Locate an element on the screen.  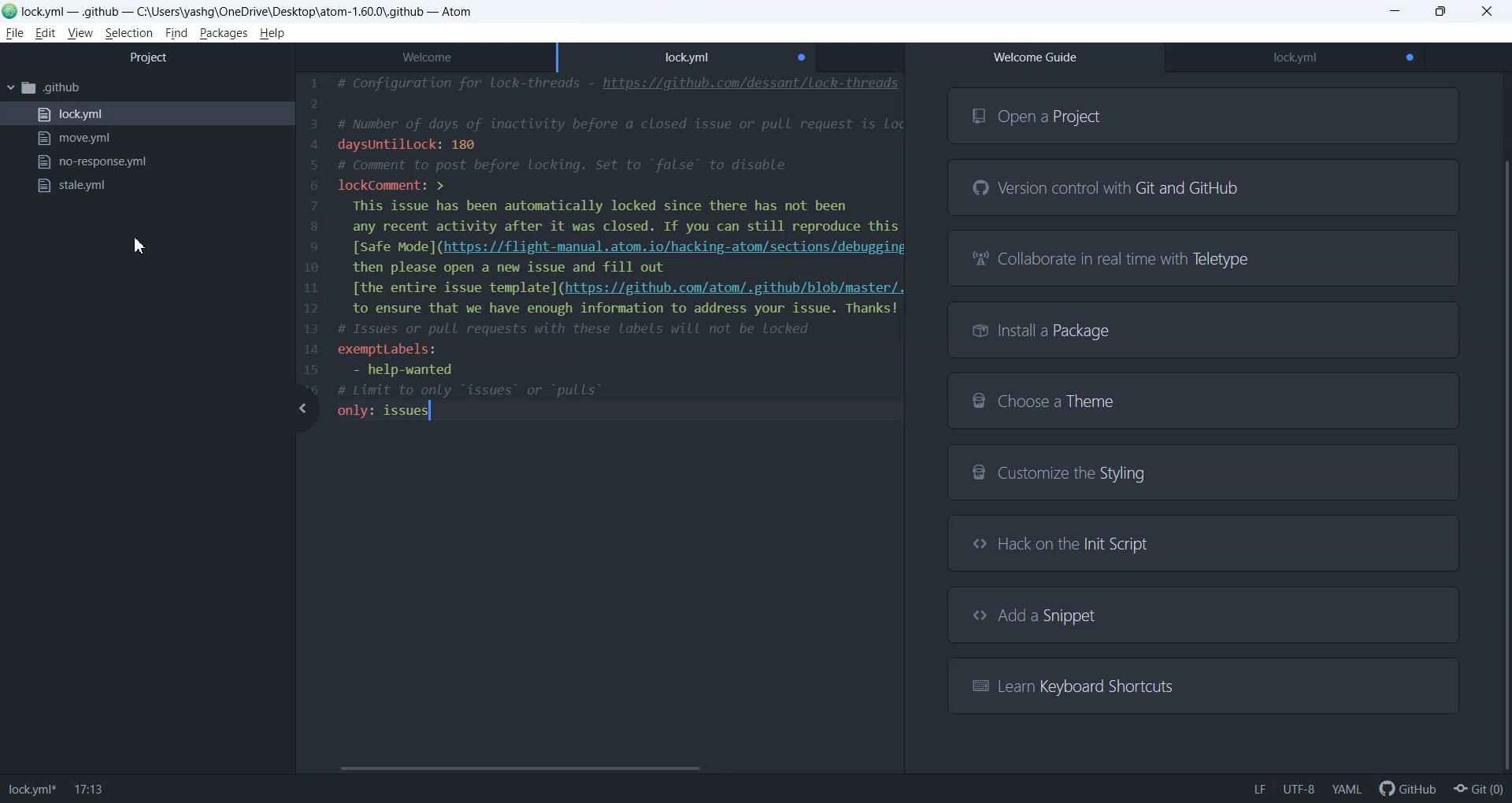
Collaborate in real time with Teletype is located at coordinates (1205, 257).